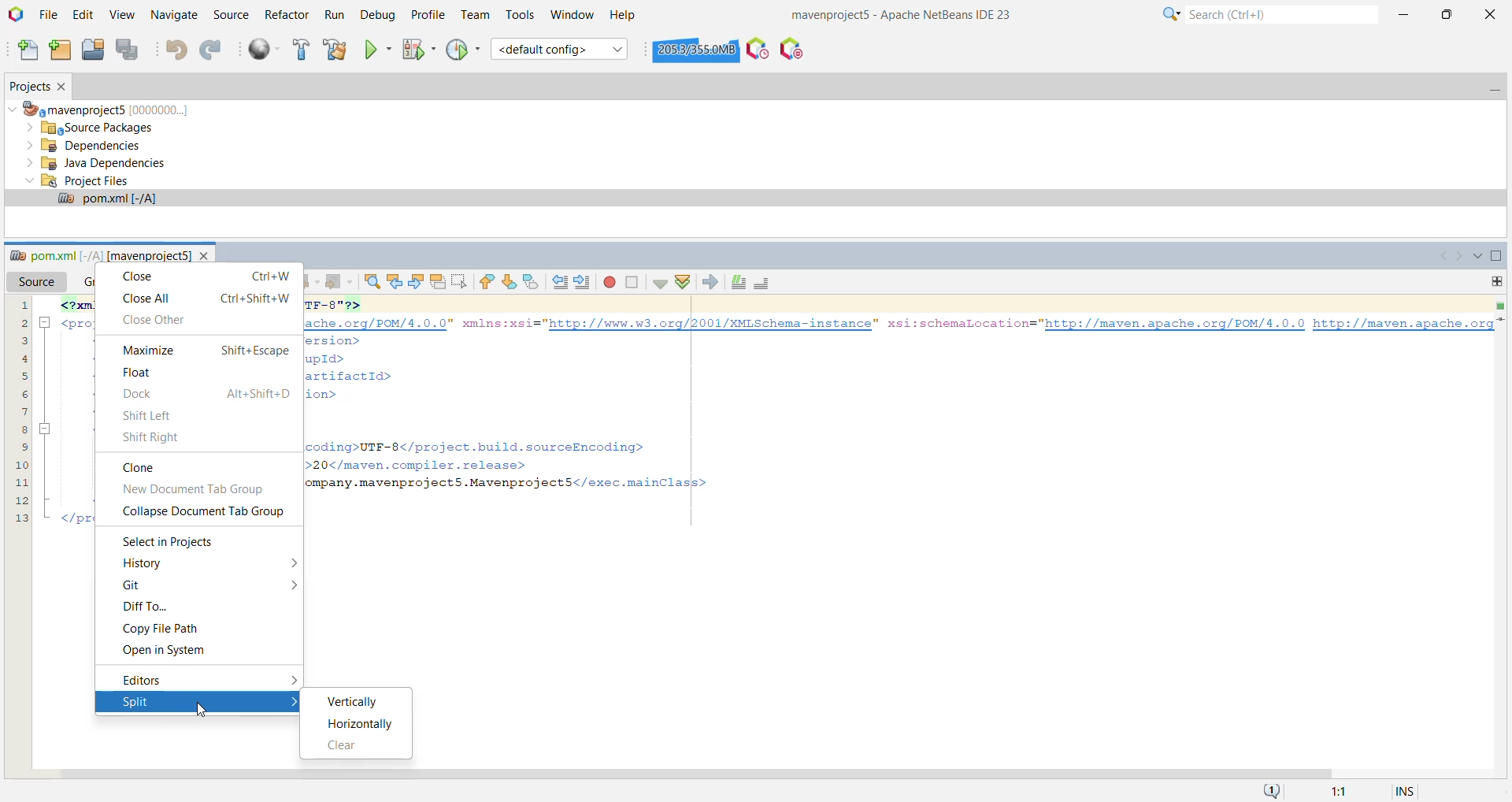  I want to click on Stop Macro Recording, so click(632, 283).